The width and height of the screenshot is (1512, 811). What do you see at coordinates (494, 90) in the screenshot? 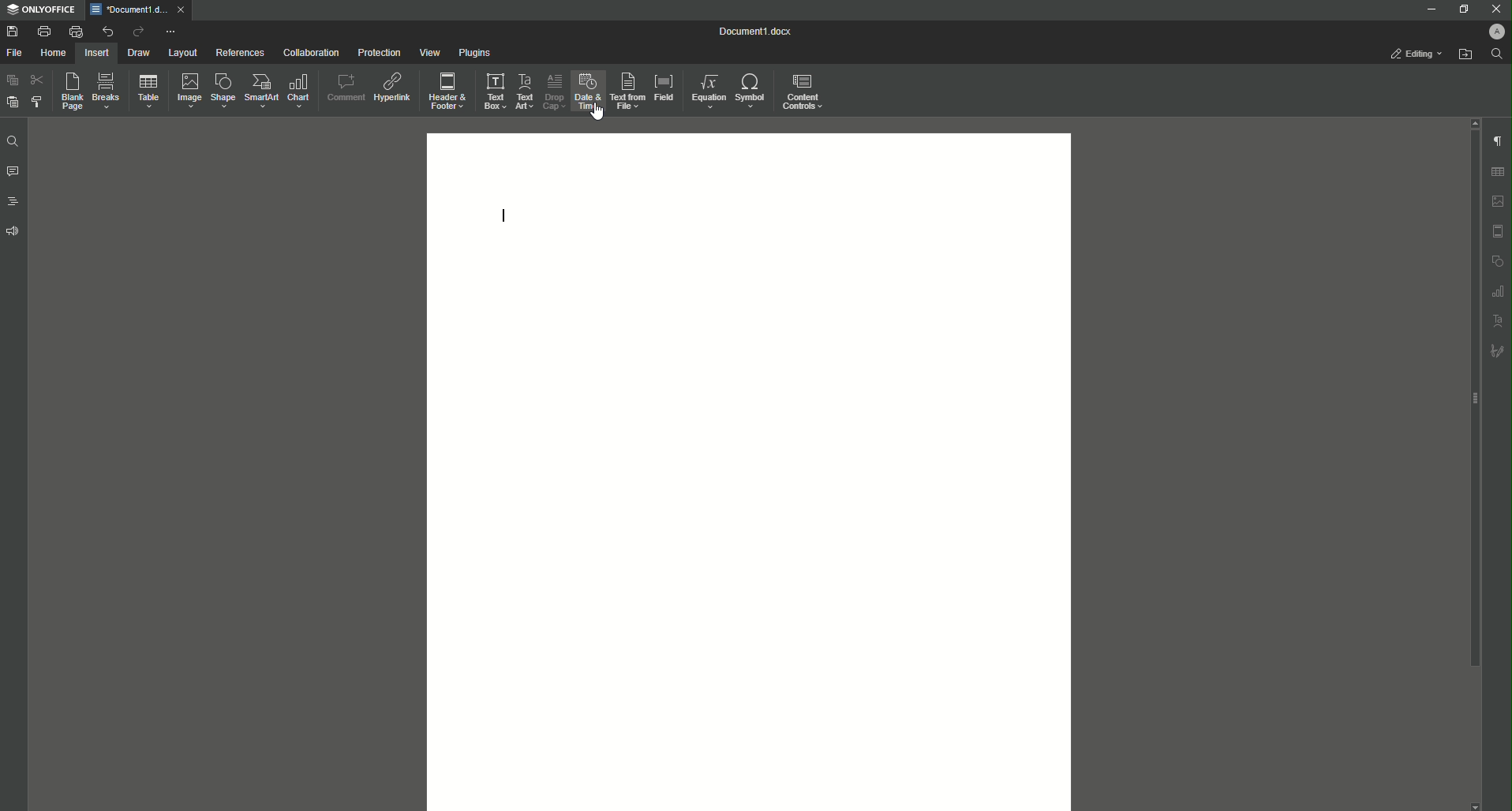
I see `Text Box` at bounding box center [494, 90].